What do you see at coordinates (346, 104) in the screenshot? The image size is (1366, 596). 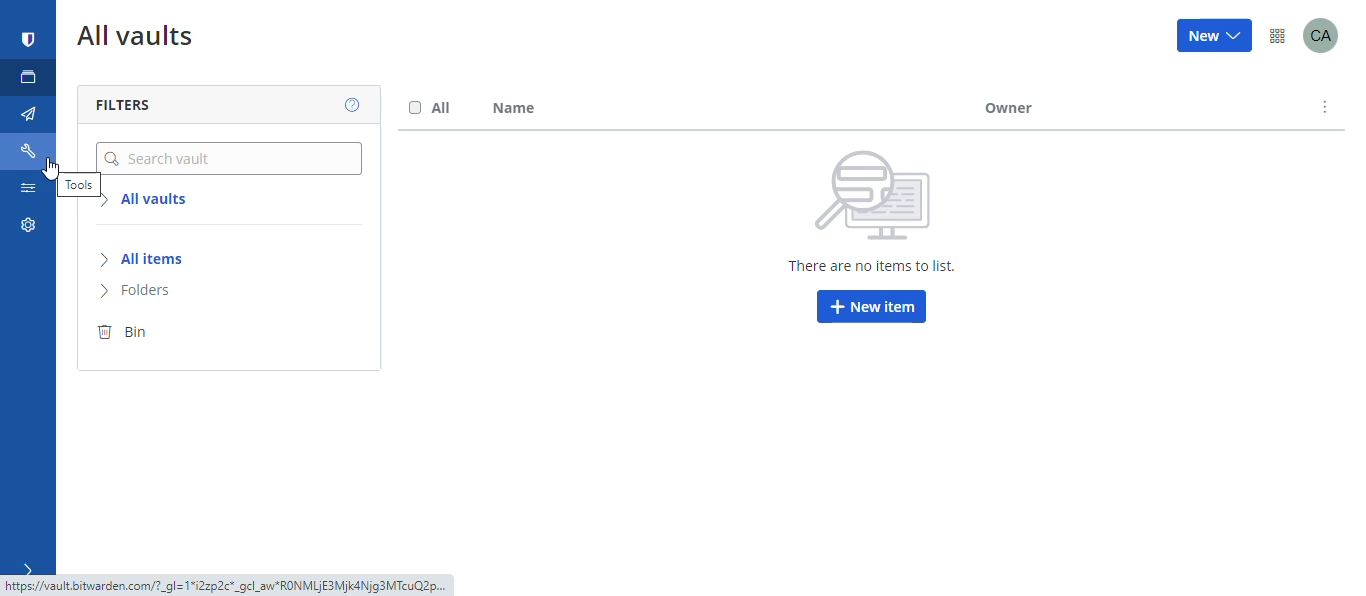 I see `help` at bounding box center [346, 104].